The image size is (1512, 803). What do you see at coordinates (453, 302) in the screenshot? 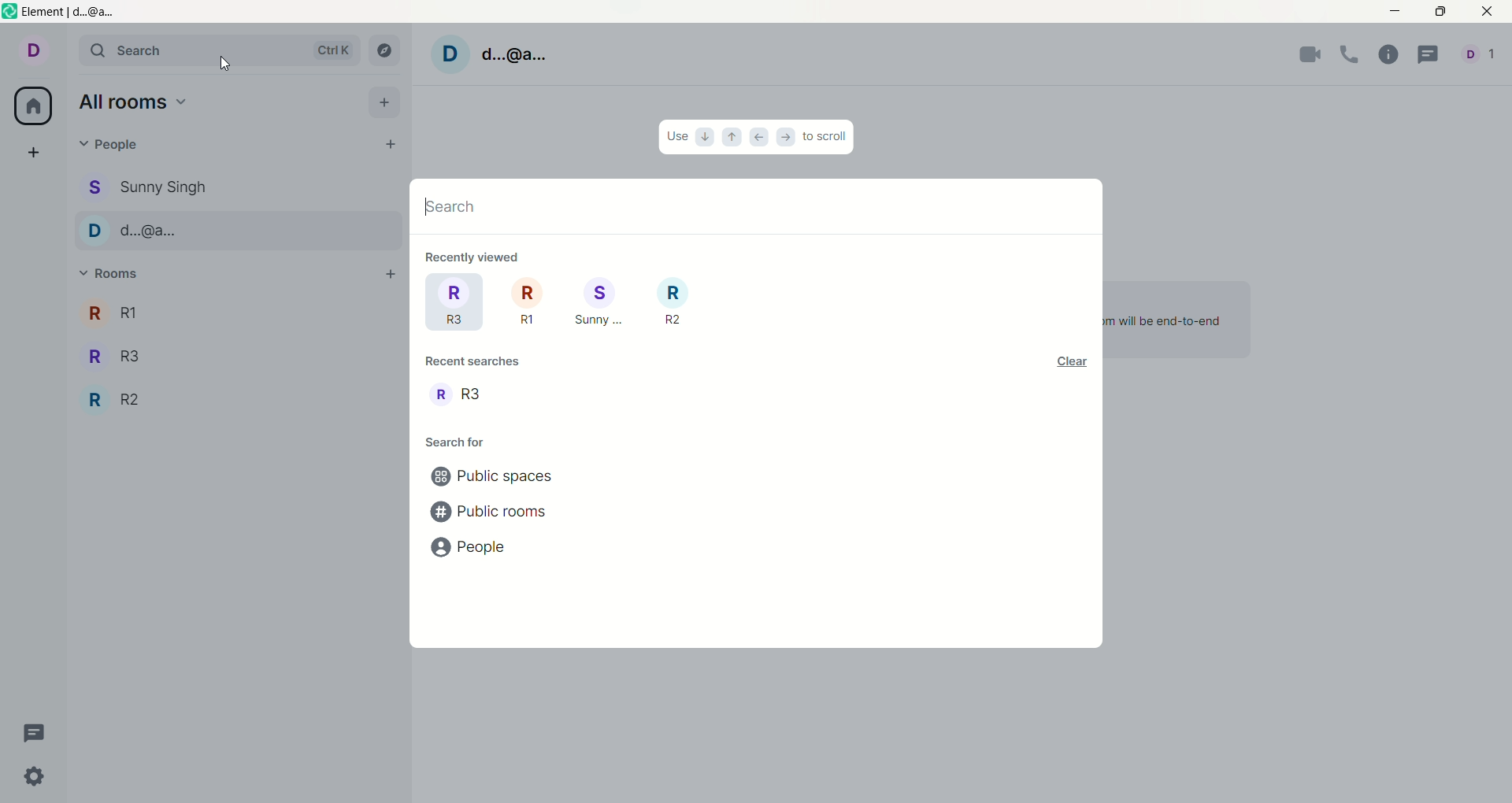
I see `r3` at bounding box center [453, 302].